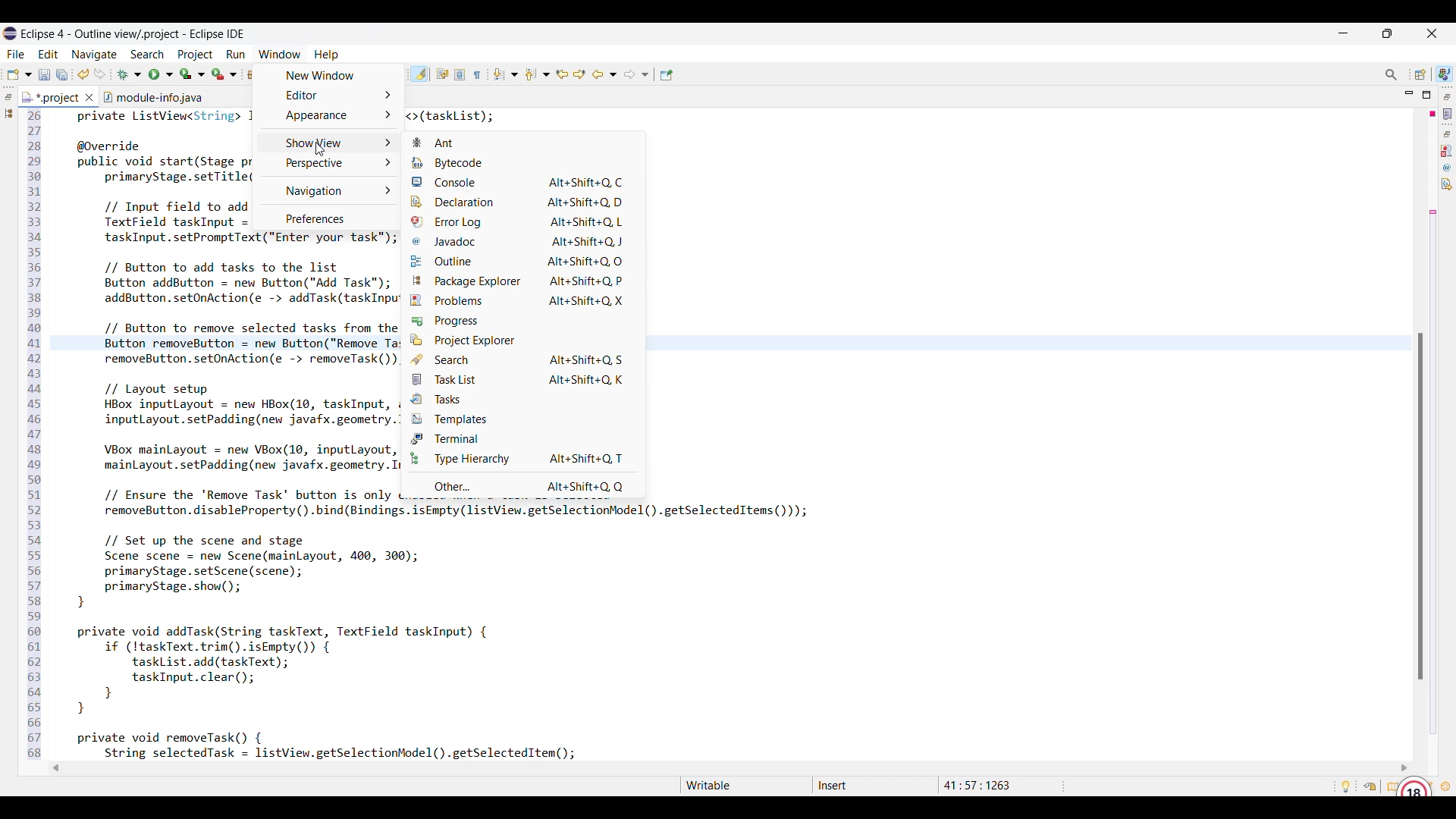  Describe the element at coordinates (522, 398) in the screenshot. I see `Tasks` at that location.